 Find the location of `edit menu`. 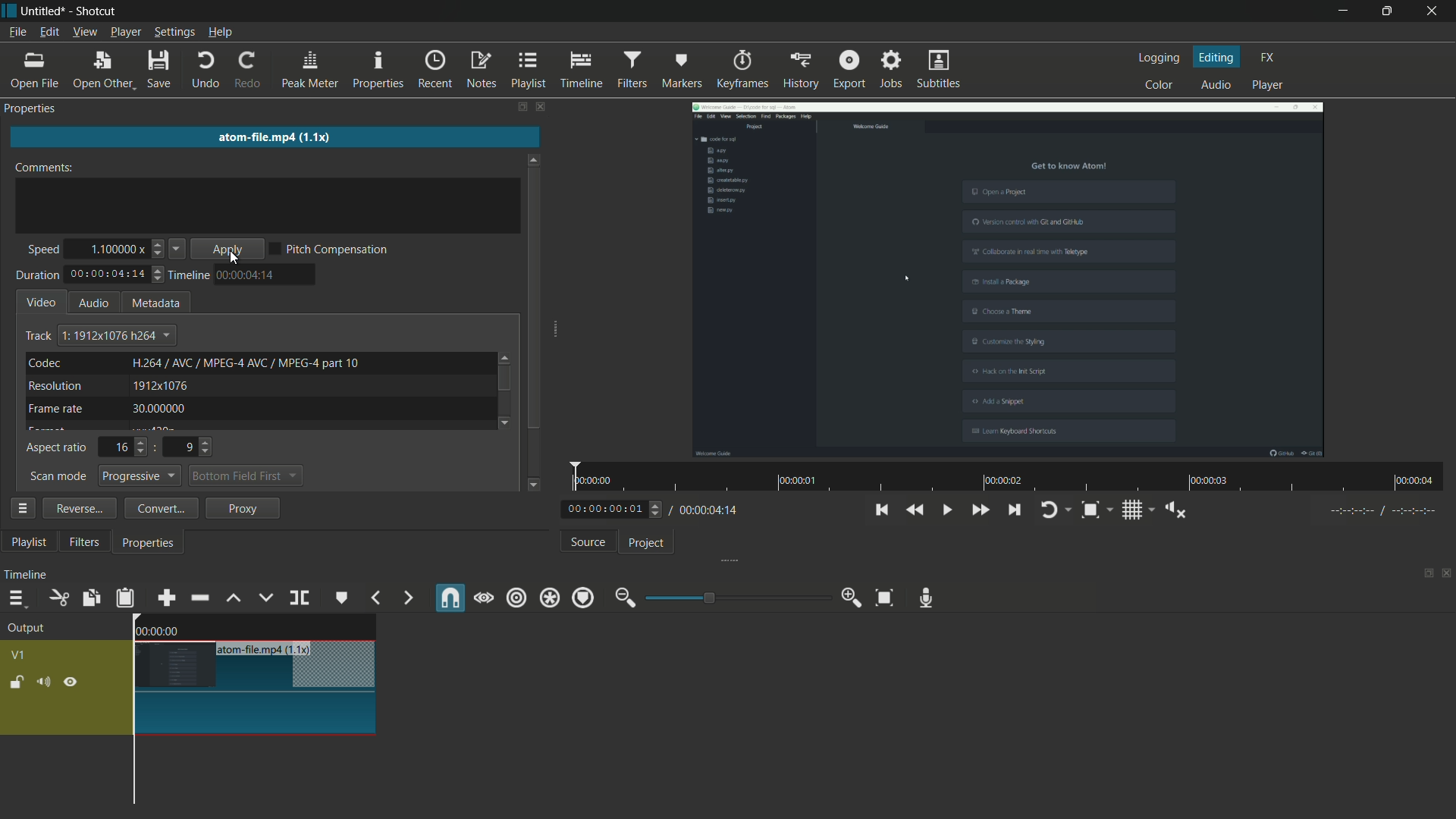

edit menu is located at coordinates (50, 32).